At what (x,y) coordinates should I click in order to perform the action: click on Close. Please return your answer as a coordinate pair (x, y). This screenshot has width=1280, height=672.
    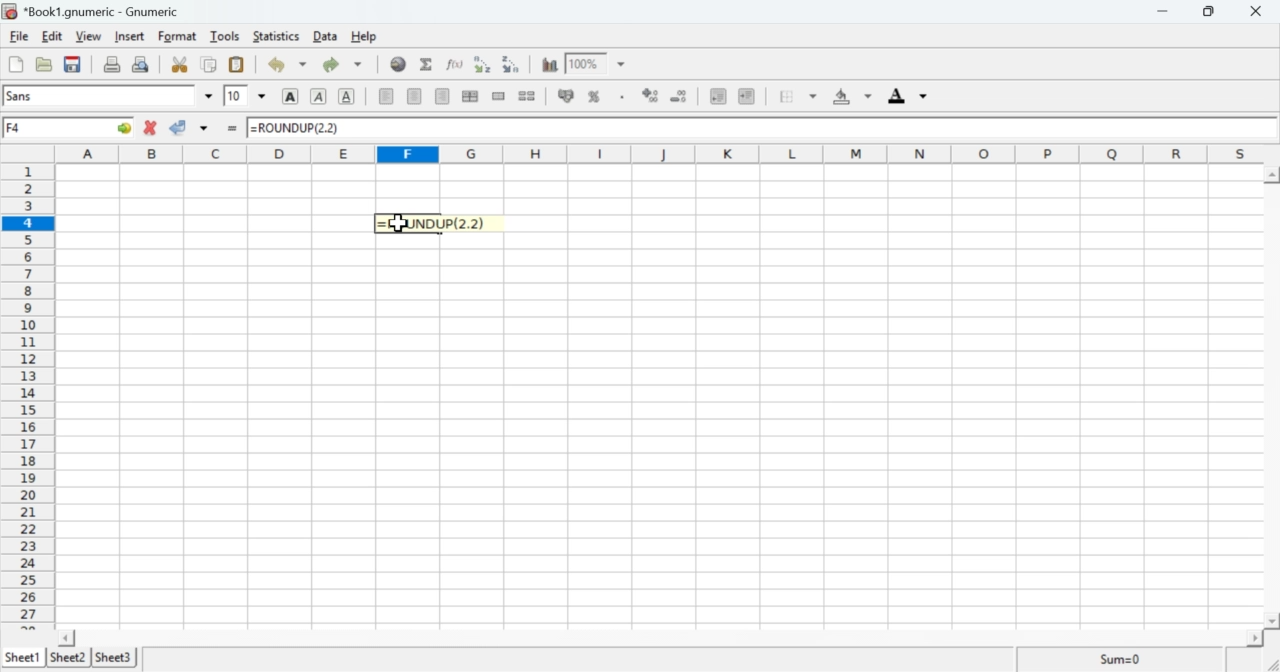
    Looking at the image, I should click on (1257, 12).